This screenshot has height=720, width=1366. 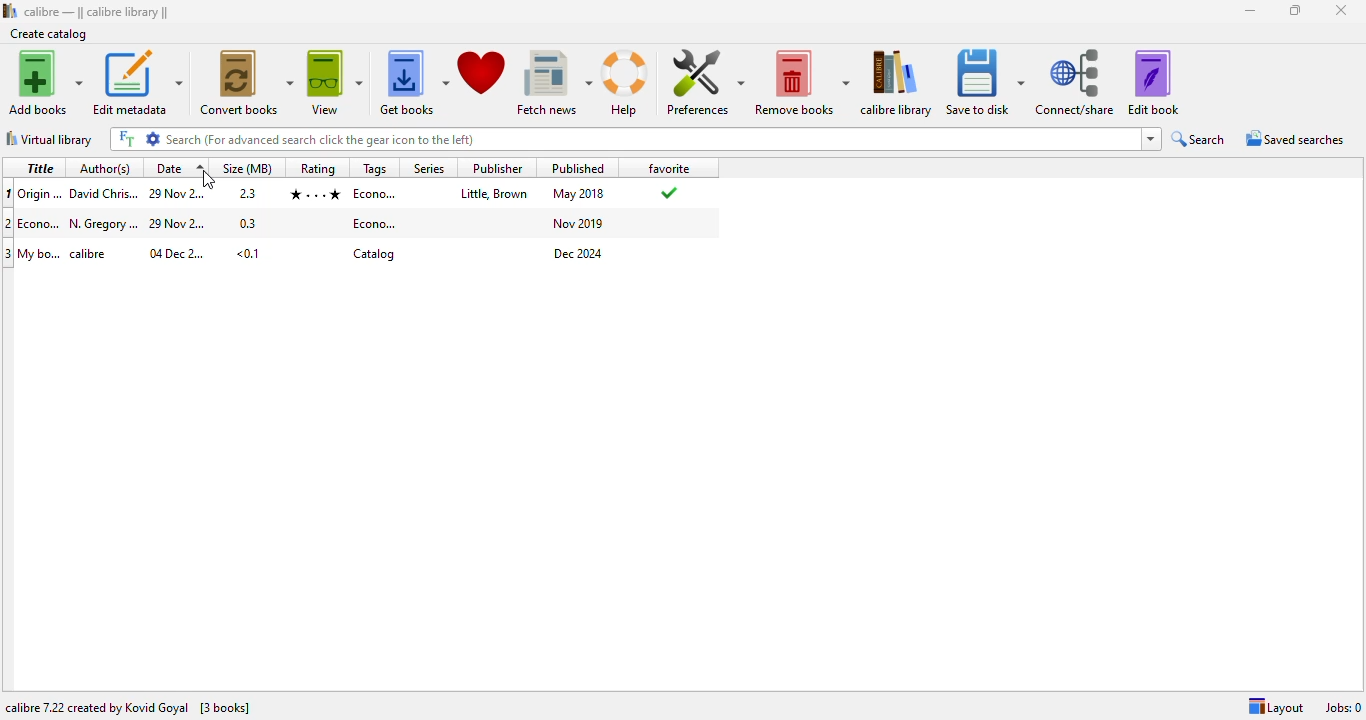 What do you see at coordinates (154, 138) in the screenshot?
I see `settings` at bounding box center [154, 138].